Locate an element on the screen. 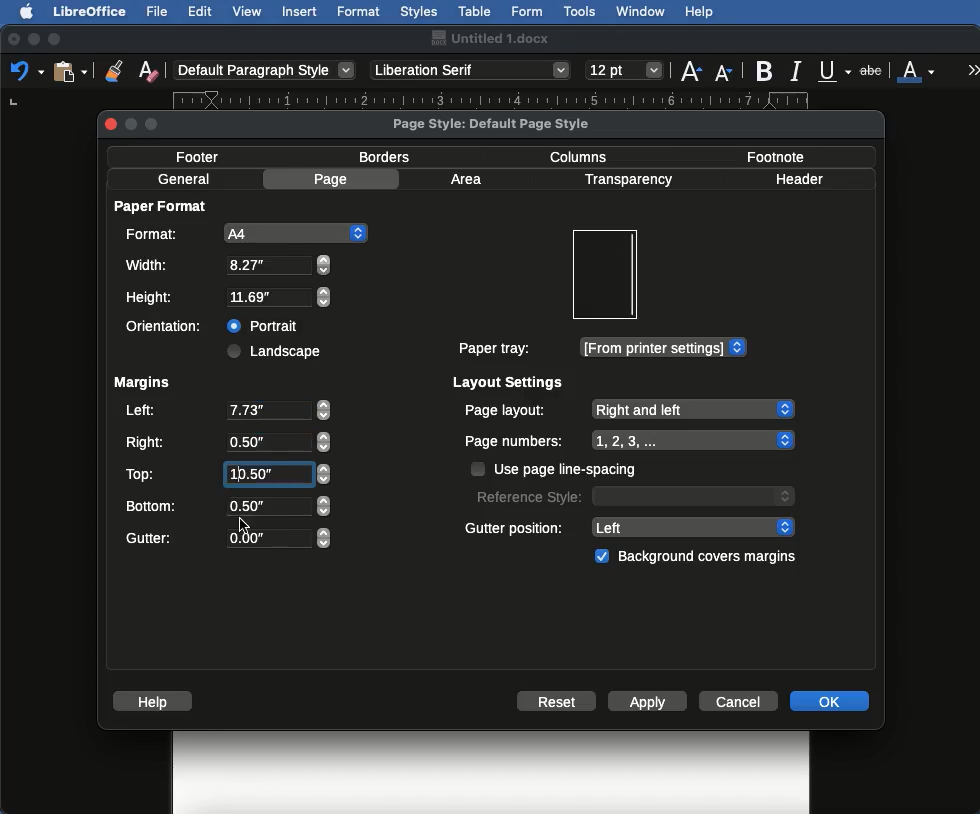 The image size is (980, 814).  is located at coordinates (243, 522).